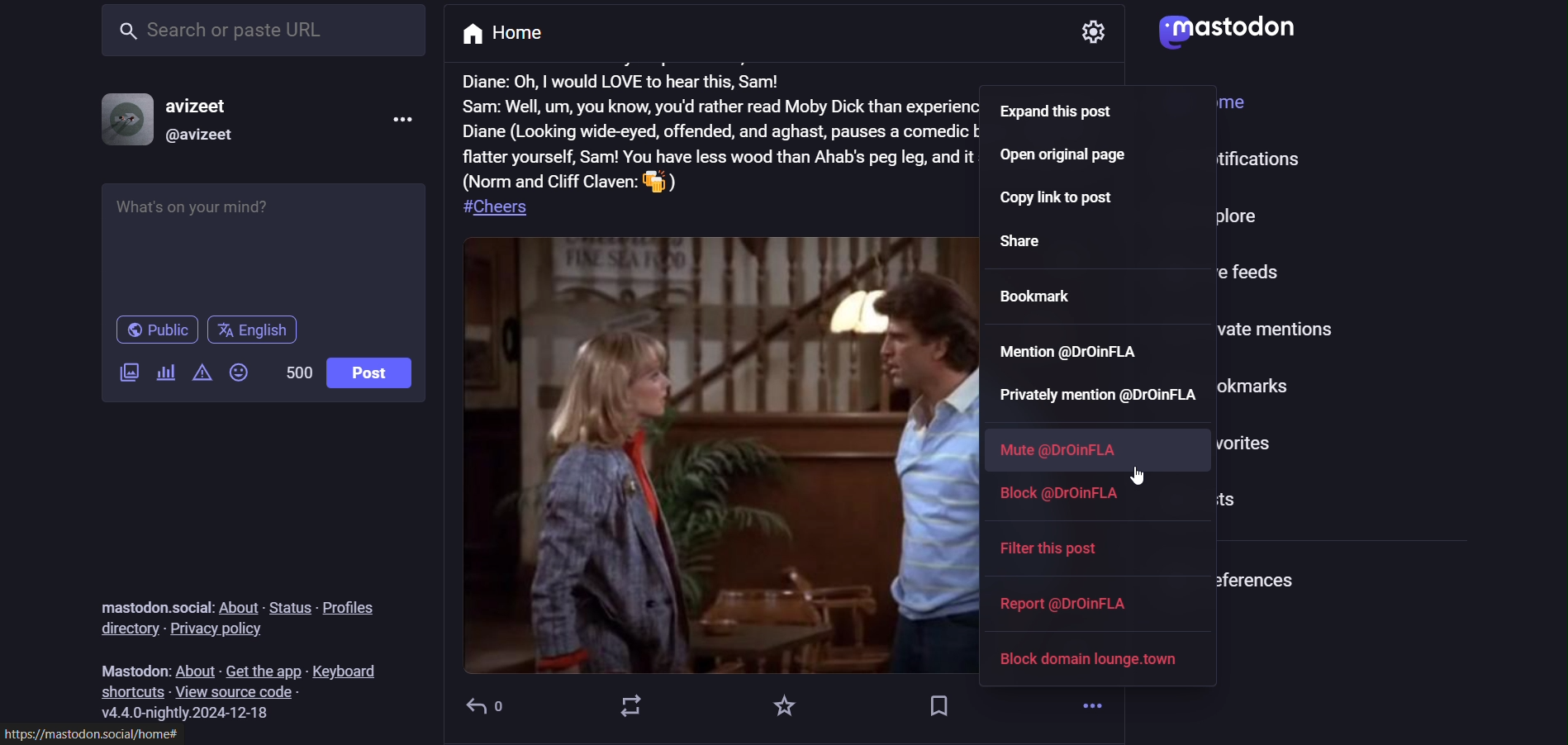  What do you see at coordinates (404, 121) in the screenshot?
I see `menu` at bounding box center [404, 121].